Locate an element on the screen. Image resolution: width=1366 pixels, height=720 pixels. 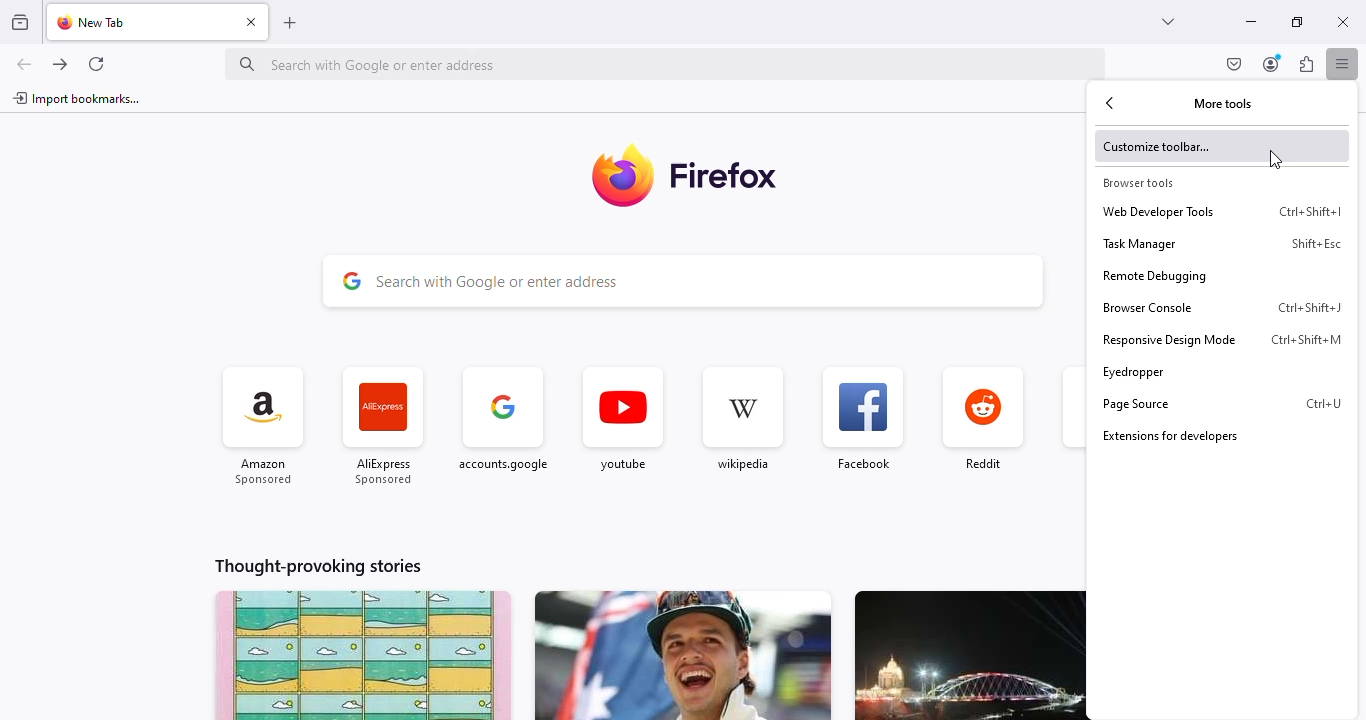
web developer tools is located at coordinates (1182, 211).